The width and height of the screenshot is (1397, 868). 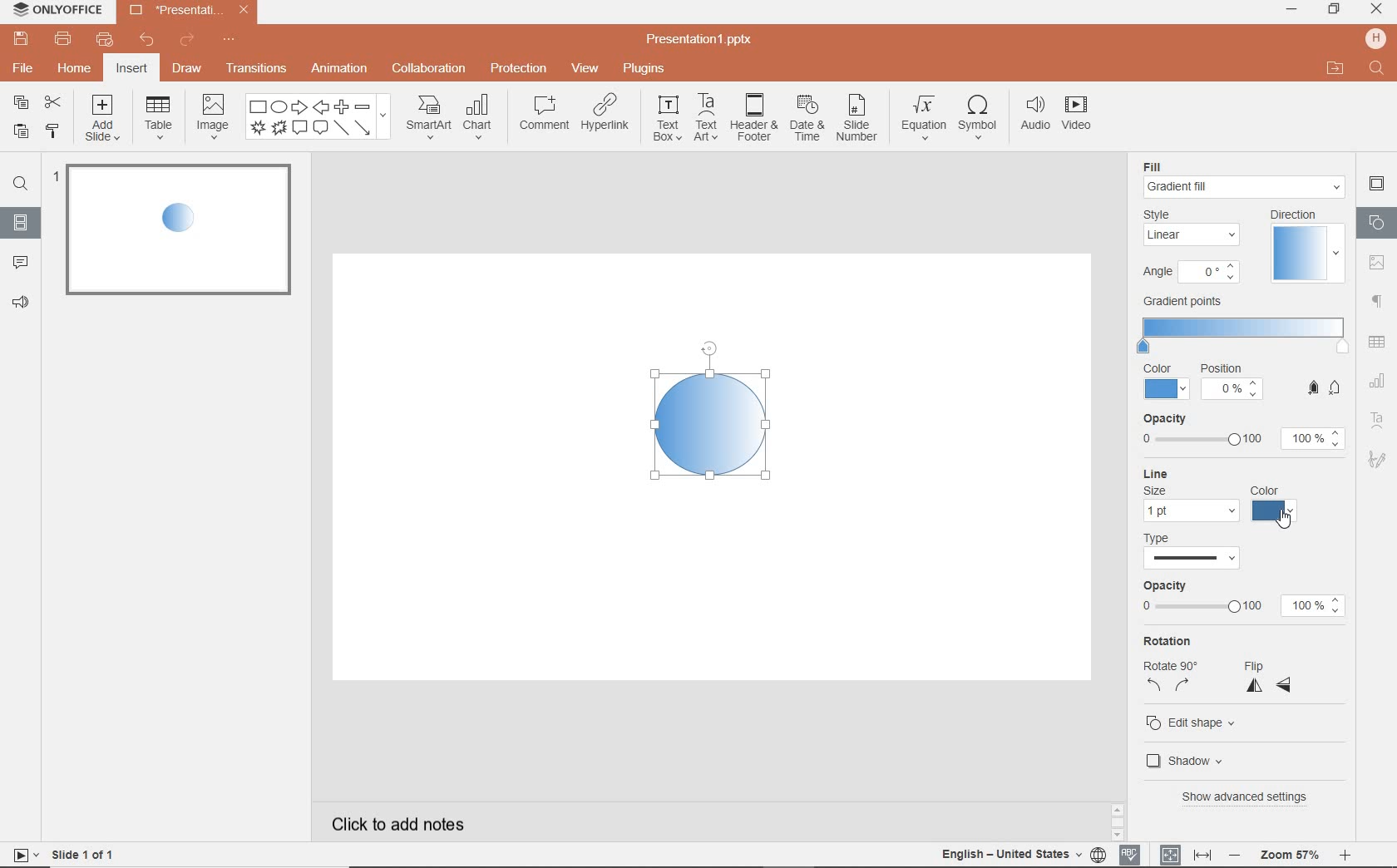 What do you see at coordinates (1256, 687) in the screenshot?
I see `vertical` at bounding box center [1256, 687].